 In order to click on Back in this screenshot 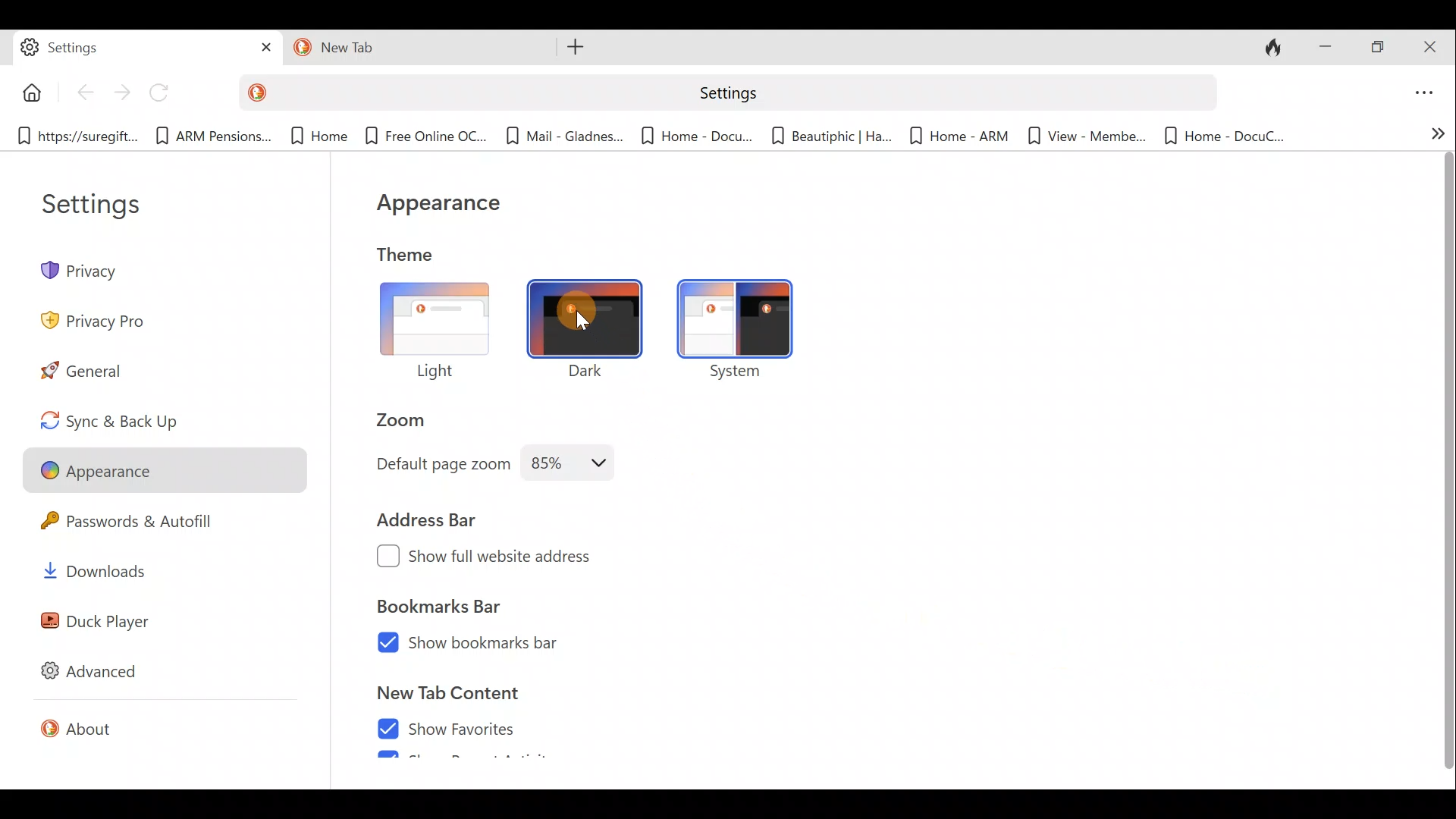, I will do `click(85, 91)`.